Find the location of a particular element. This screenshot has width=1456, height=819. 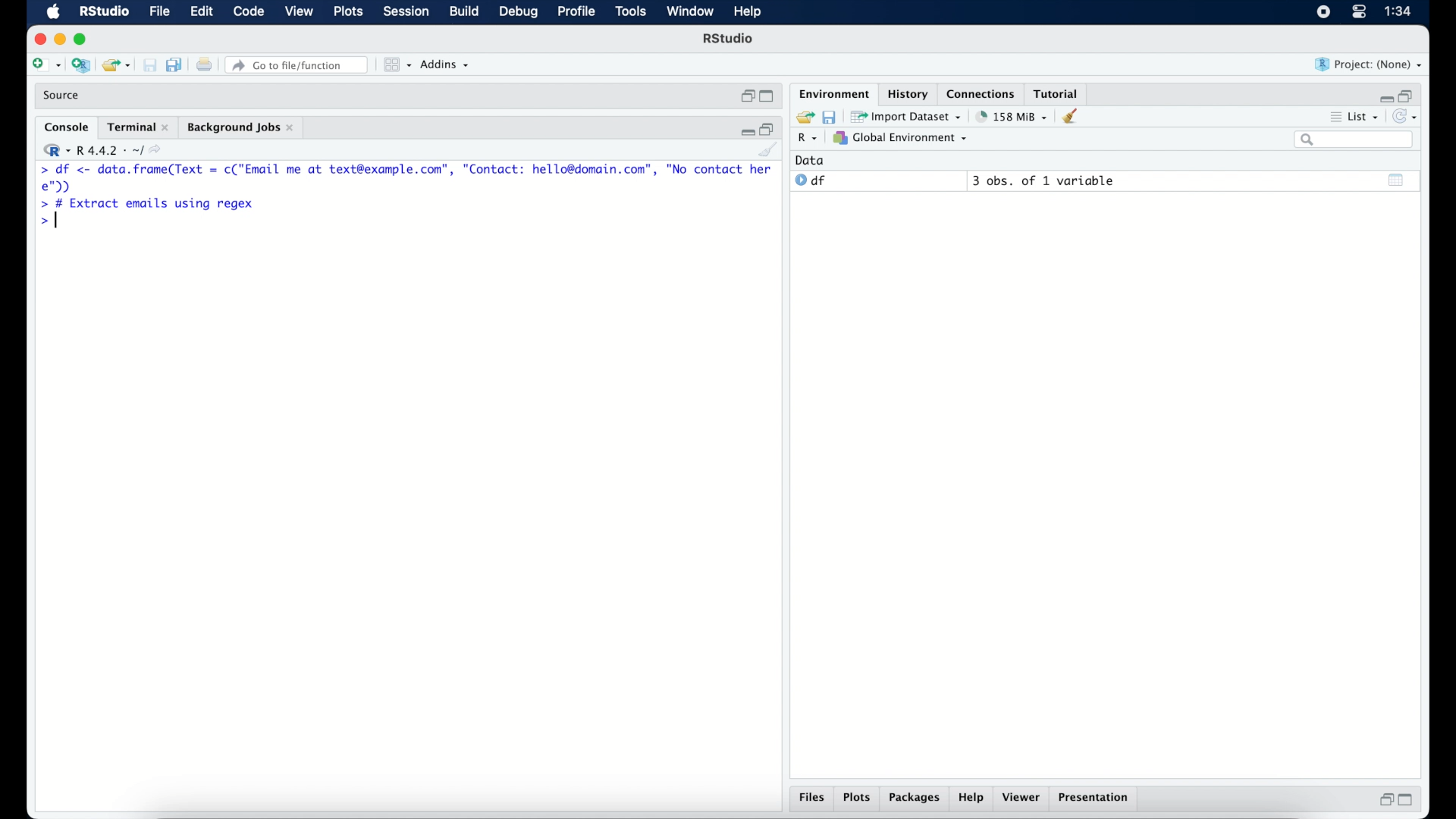

window is located at coordinates (691, 13).